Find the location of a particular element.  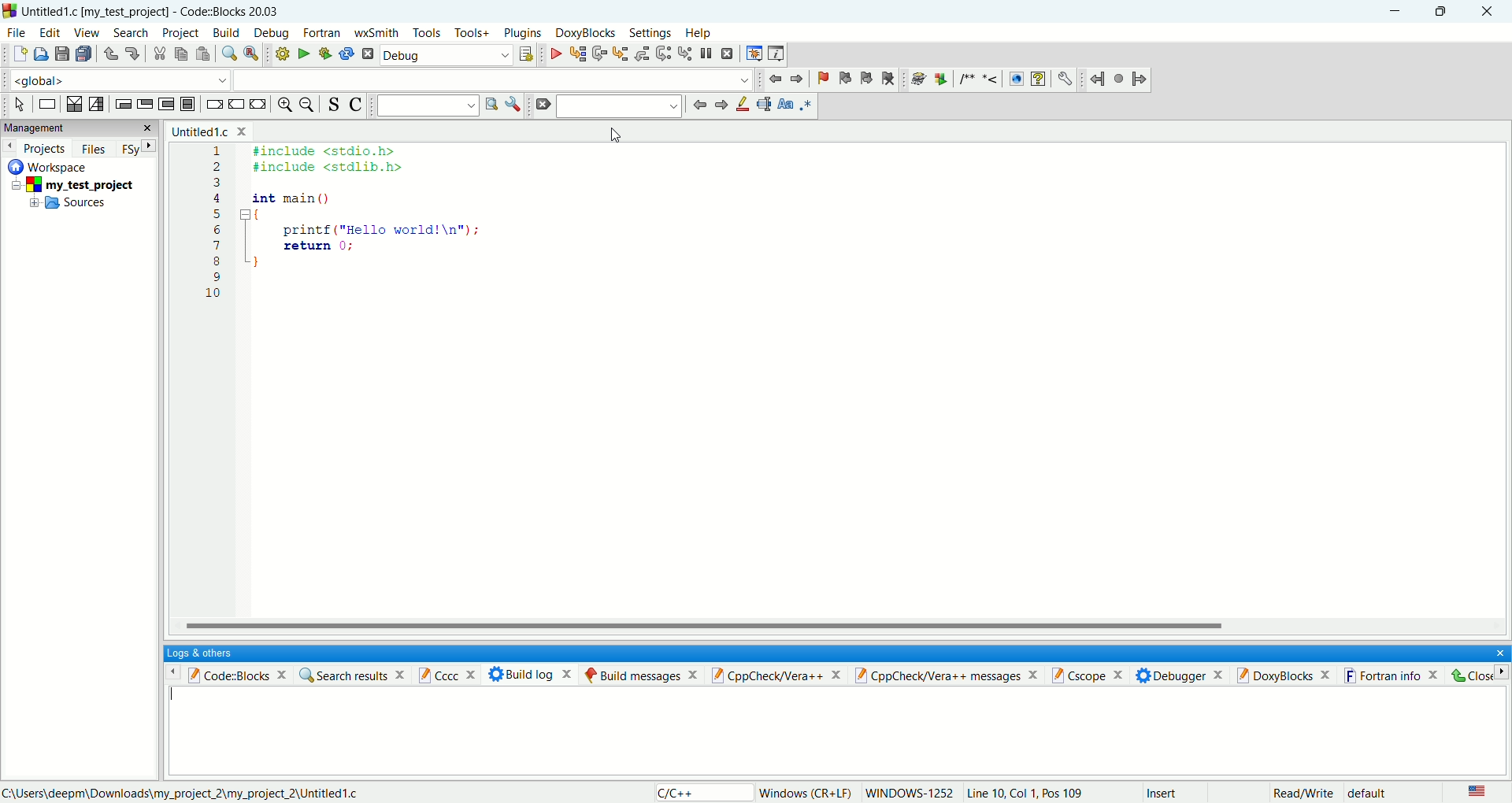

tools is located at coordinates (426, 33).